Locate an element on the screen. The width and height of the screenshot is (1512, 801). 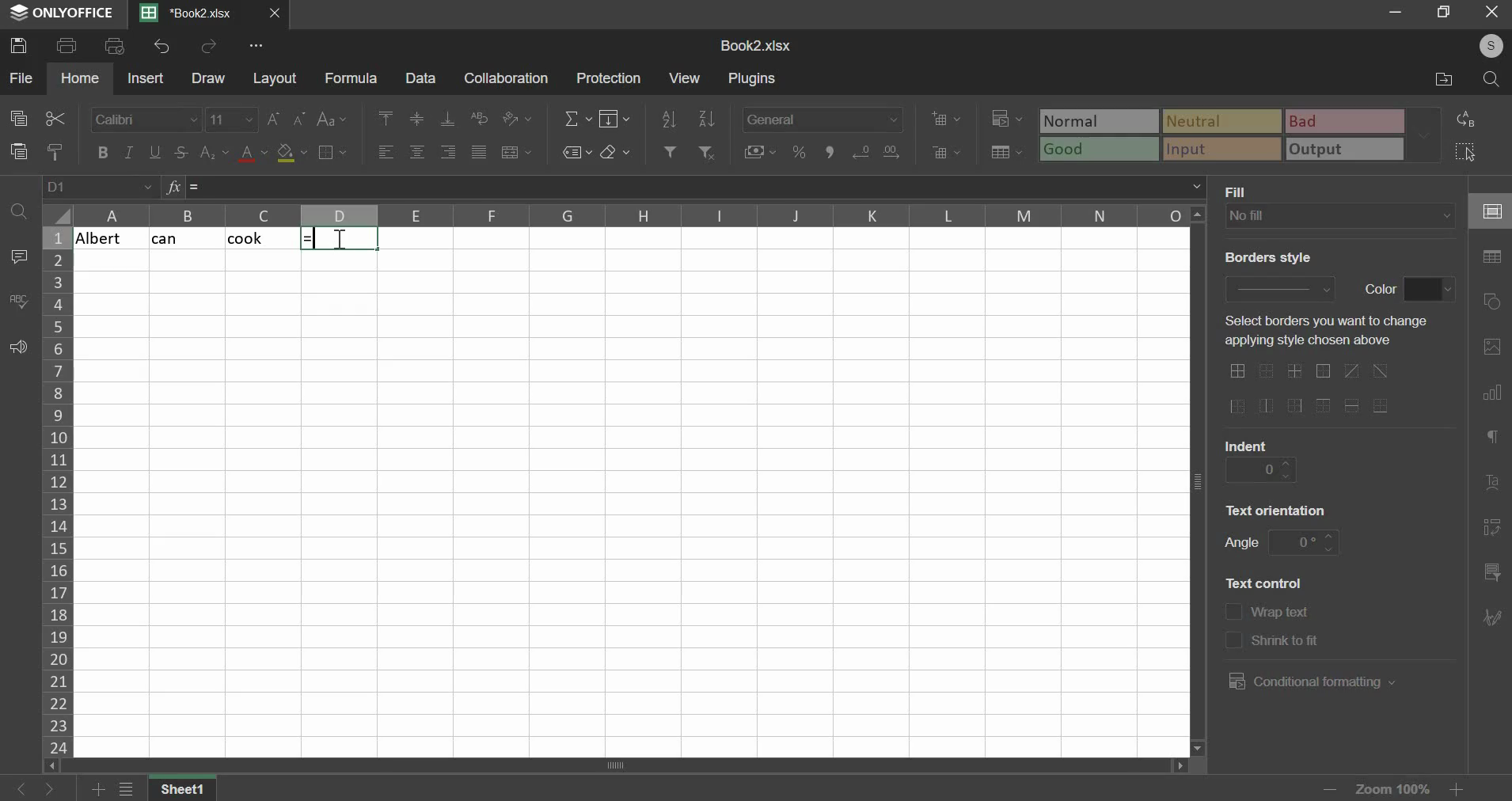
change case is located at coordinates (331, 120).